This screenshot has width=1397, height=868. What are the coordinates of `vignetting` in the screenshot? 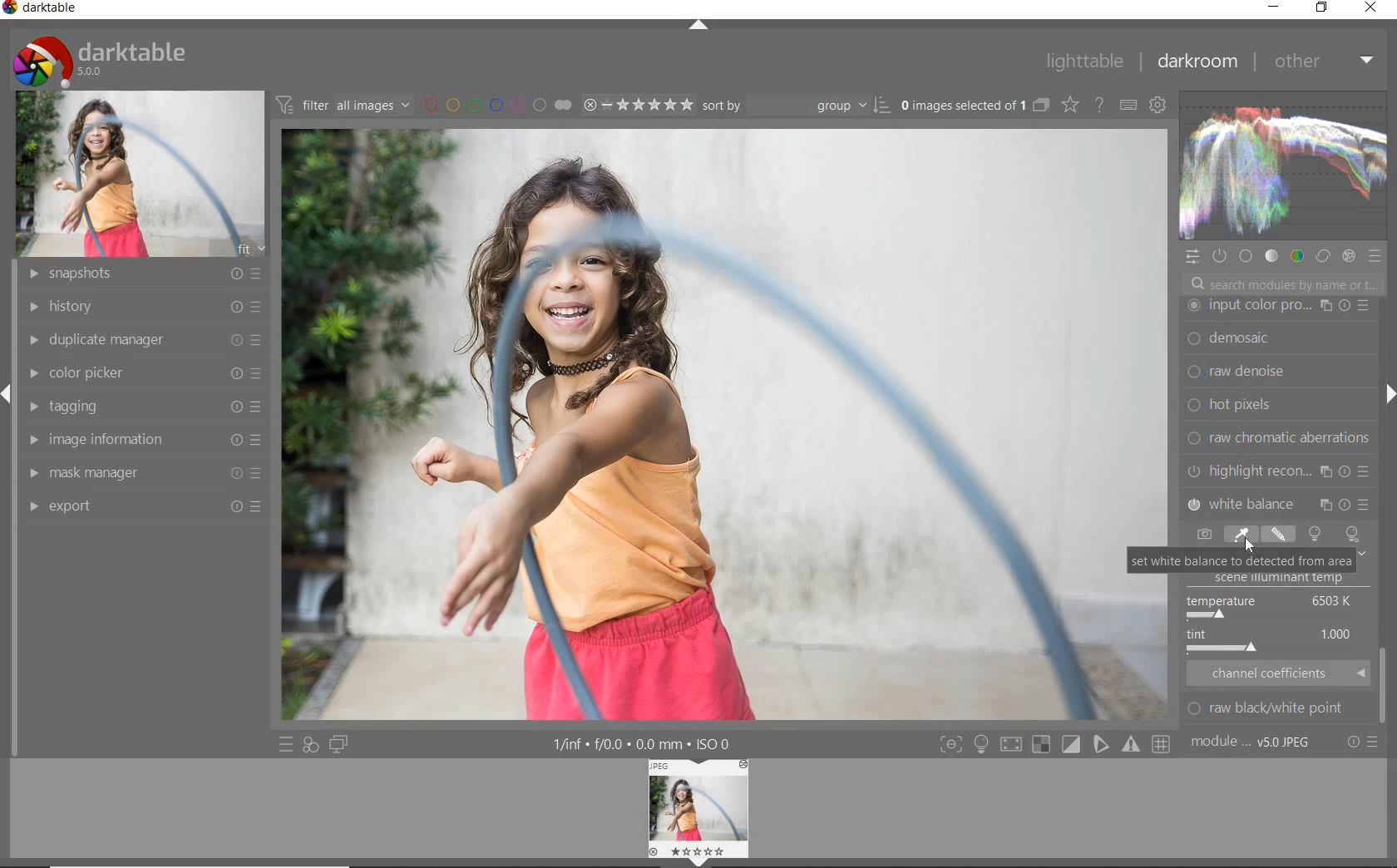 It's located at (1277, 471).